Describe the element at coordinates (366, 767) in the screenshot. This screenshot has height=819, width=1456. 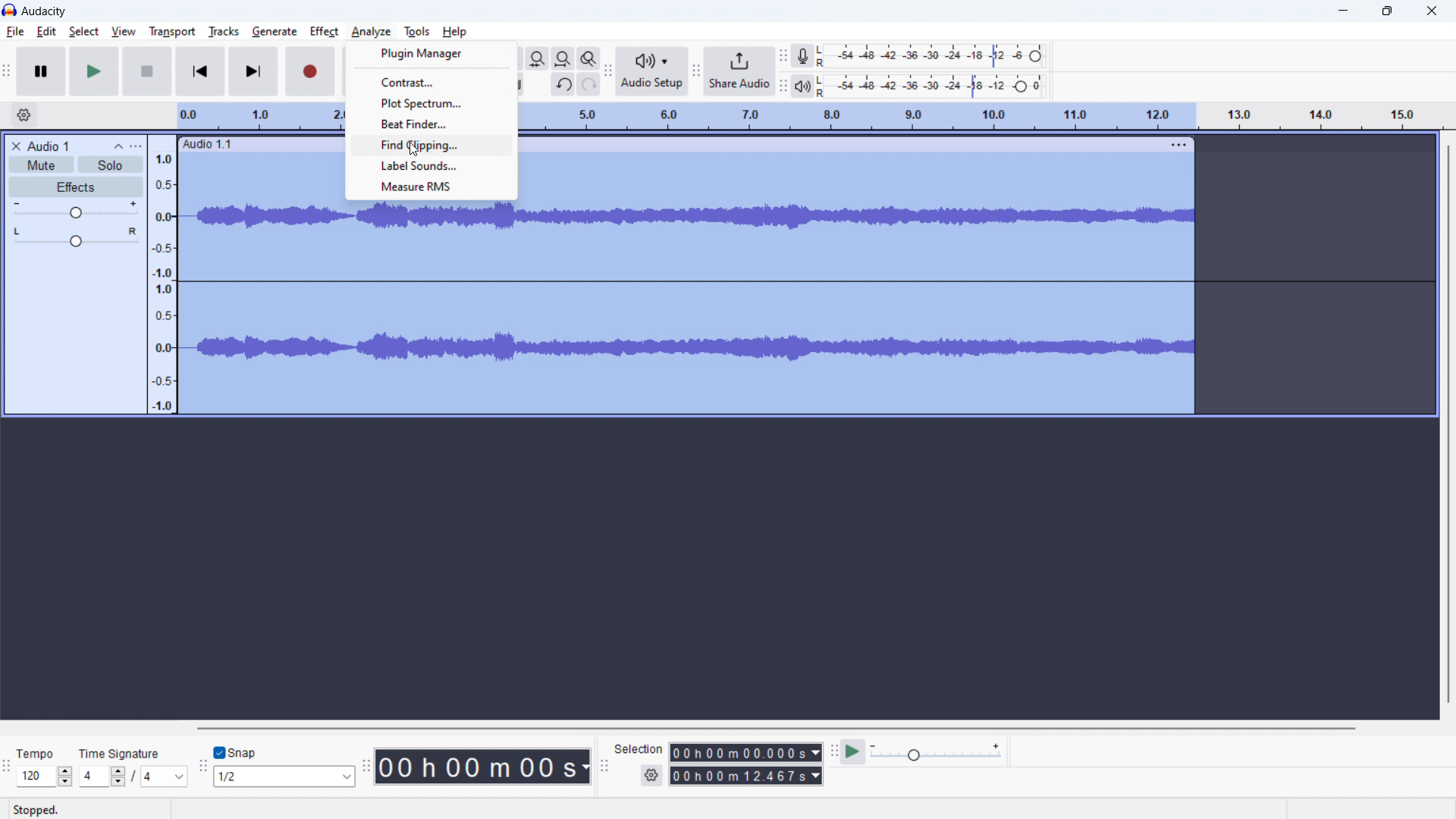
I see `time toolbar` at that location.